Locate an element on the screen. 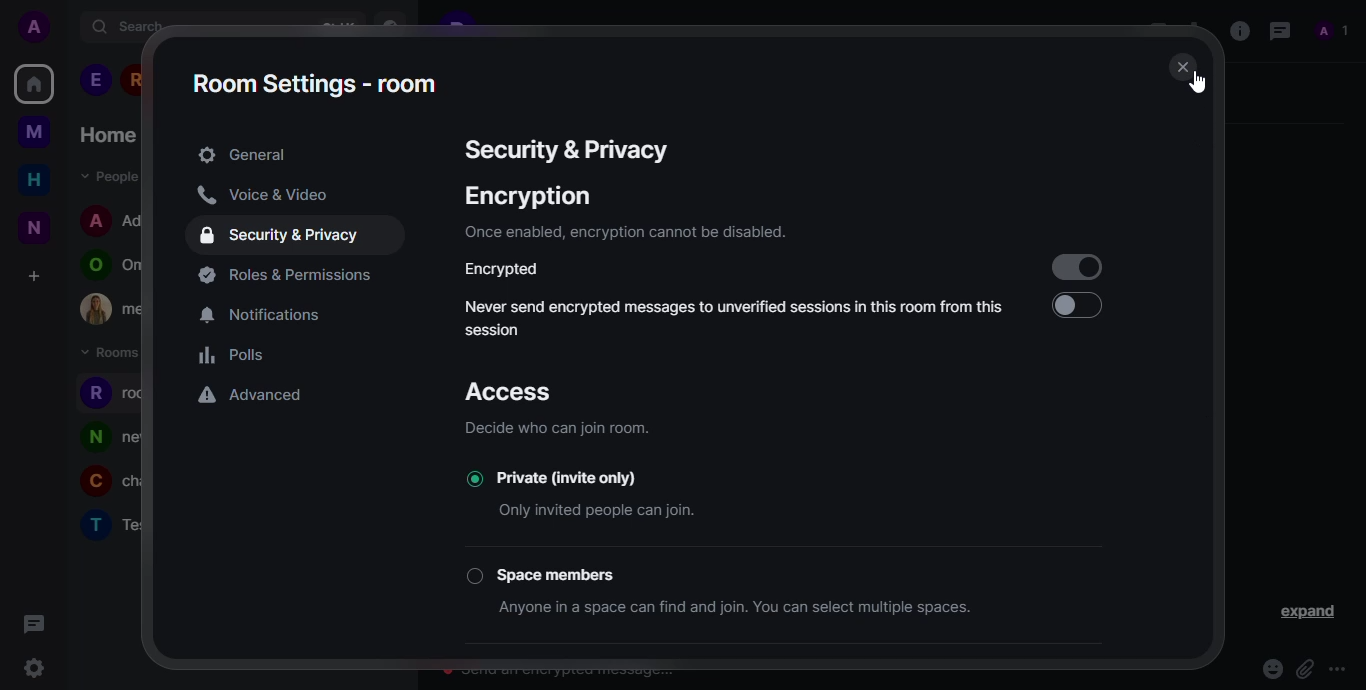 The width and height of the screenshot is (1366, 690). attach is located at coordinates (1303, 665).